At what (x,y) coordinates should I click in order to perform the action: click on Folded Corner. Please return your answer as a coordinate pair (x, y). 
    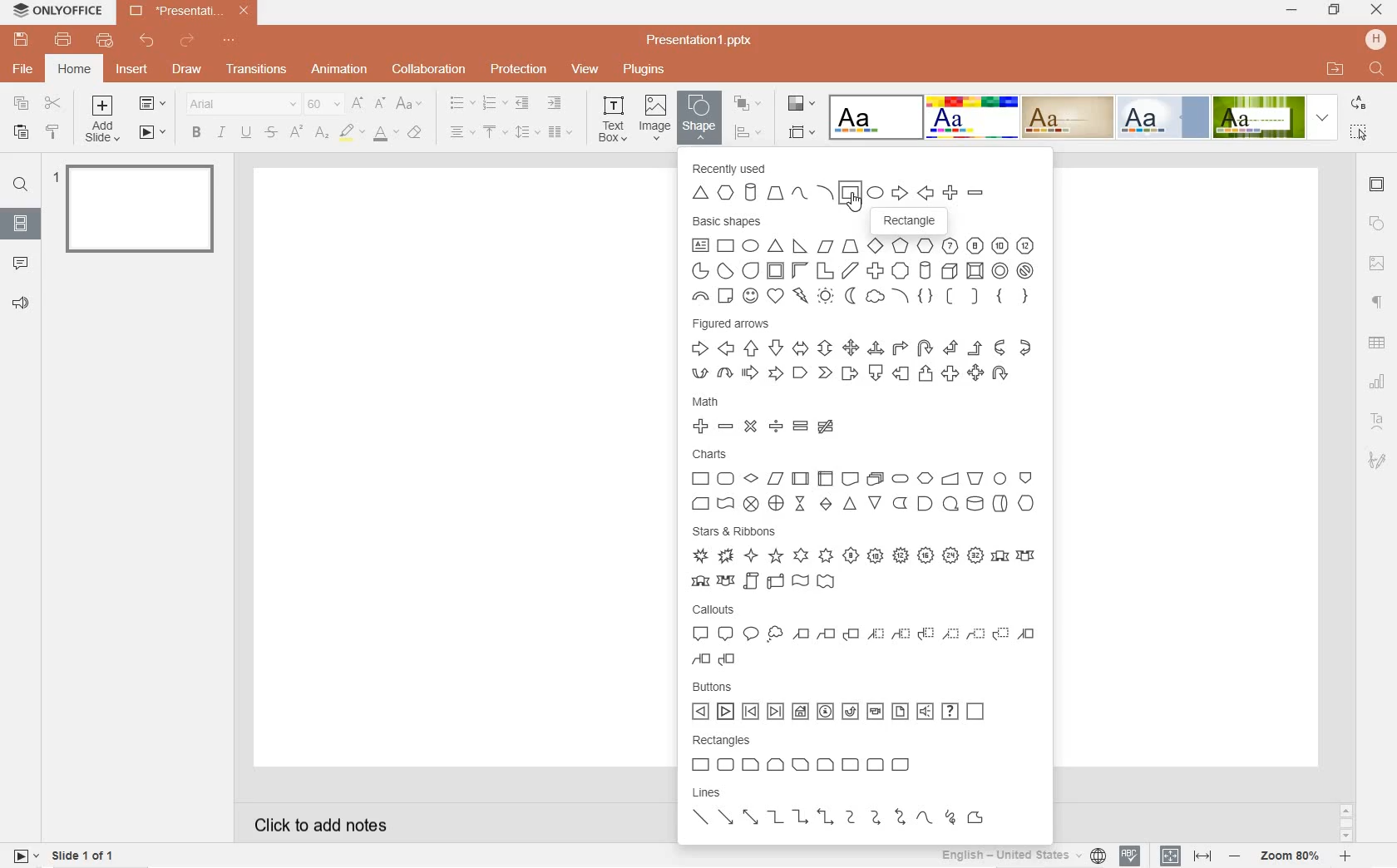
    Looking at the image, I should click on (726, 296).